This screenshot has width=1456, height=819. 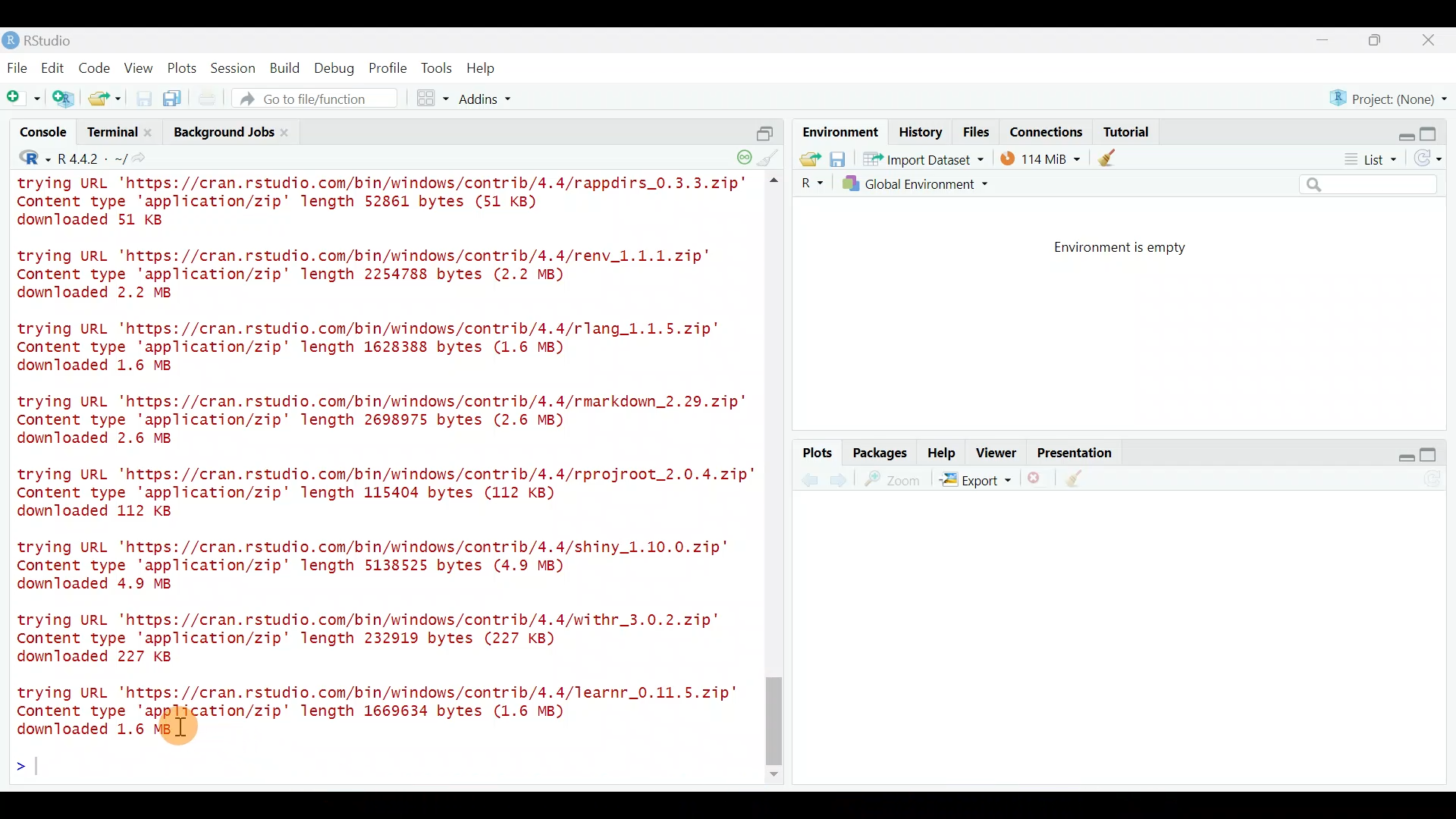 I want to click on File, so click(x=17, y=67).